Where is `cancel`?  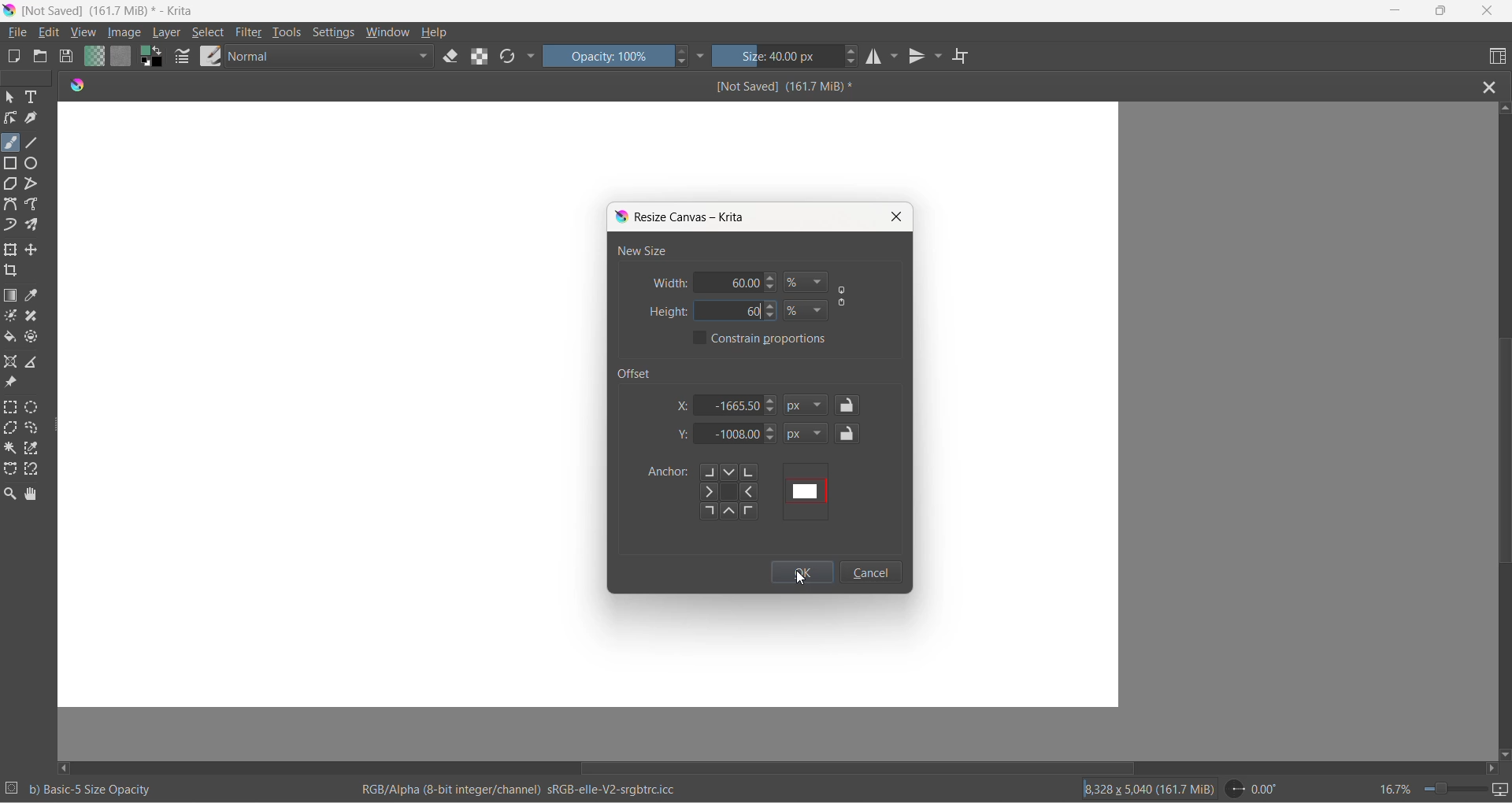
cancel is located at coordinates (870, 572).